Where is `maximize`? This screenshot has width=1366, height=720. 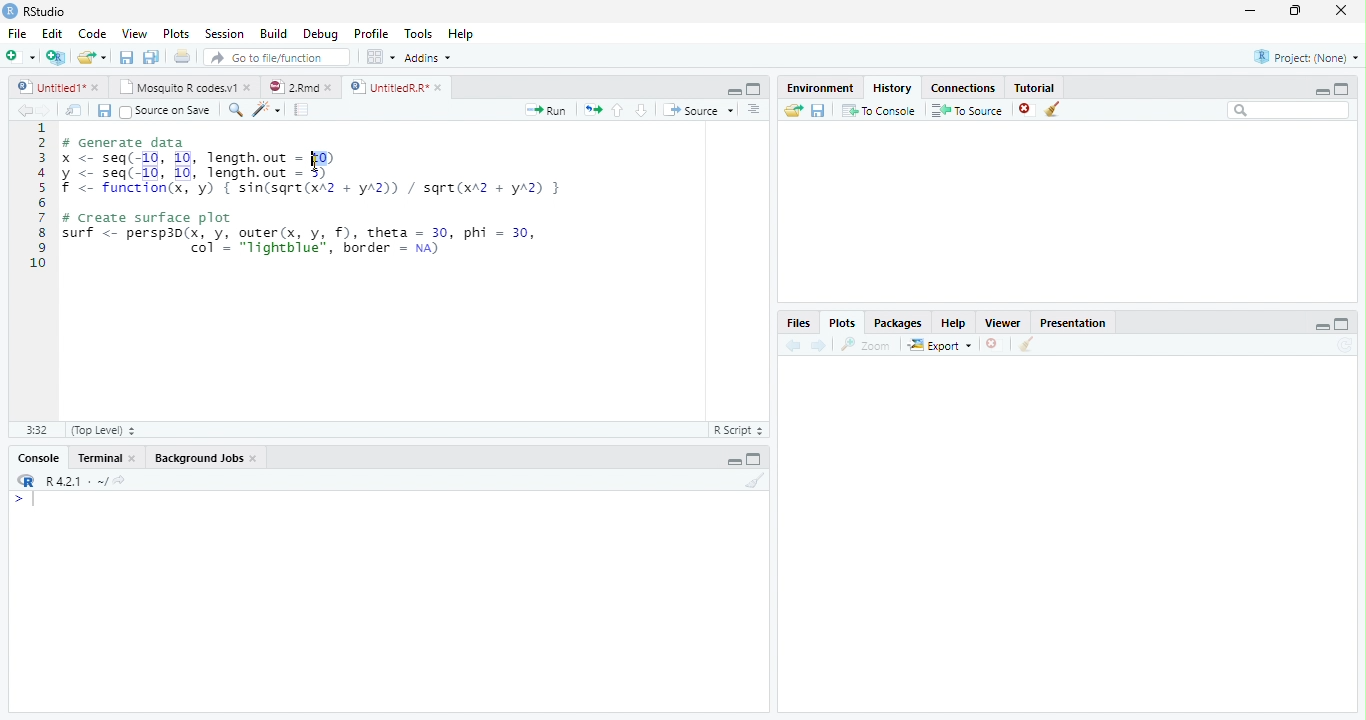
maximize is located at coordinates (1343, 324).